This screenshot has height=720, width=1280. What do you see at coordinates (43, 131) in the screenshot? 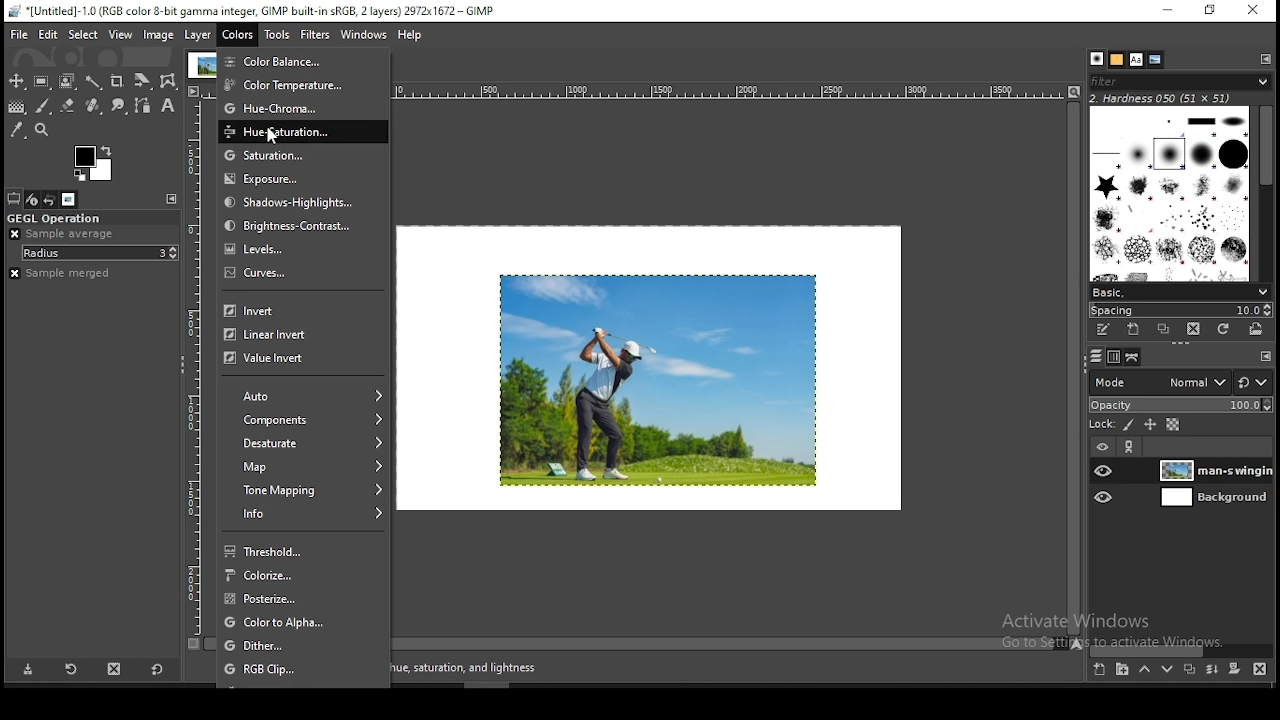
I see `zoom tool` at bounding box center [43, 131].